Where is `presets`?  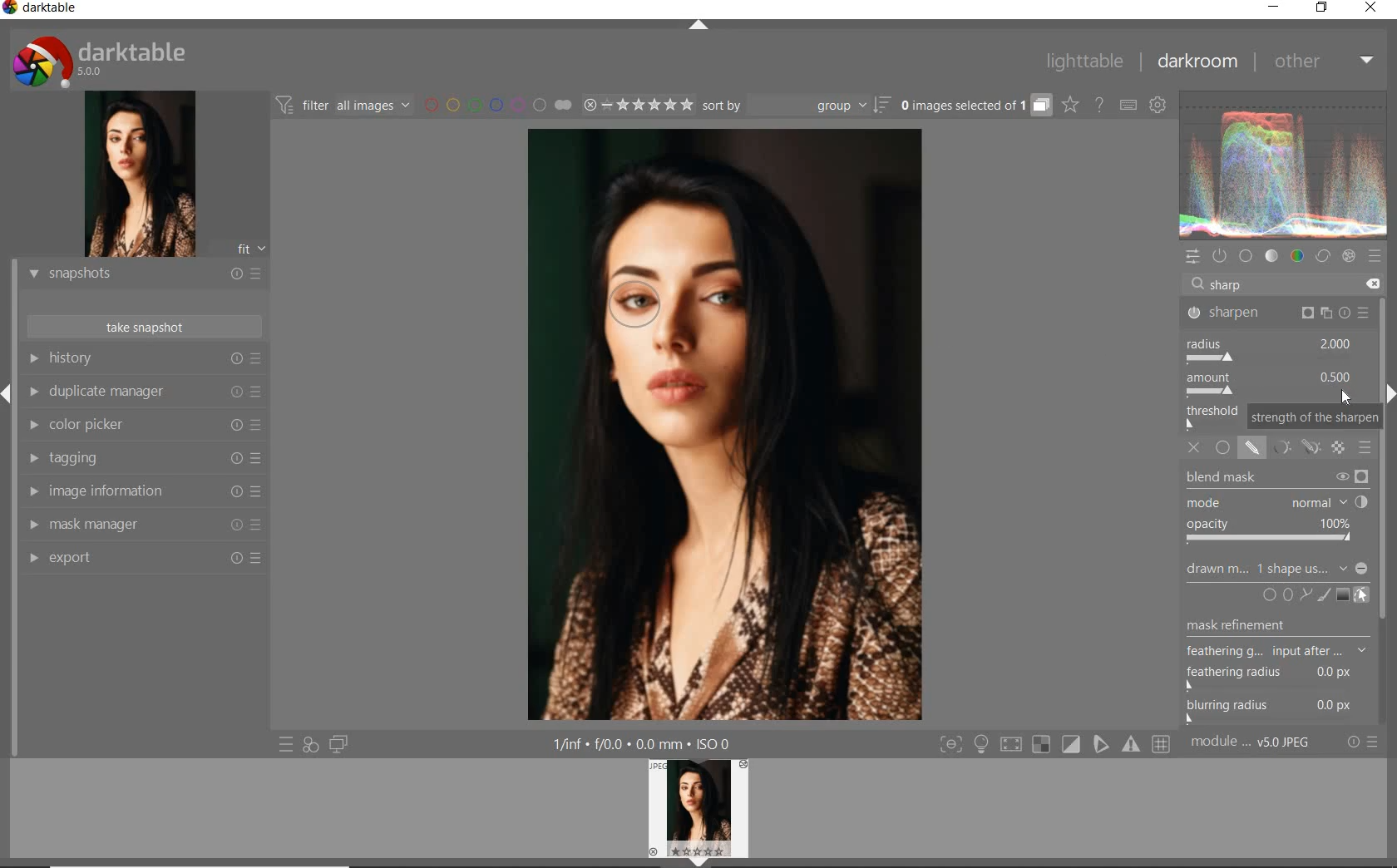
presets is located at coordinates (1377, 258).